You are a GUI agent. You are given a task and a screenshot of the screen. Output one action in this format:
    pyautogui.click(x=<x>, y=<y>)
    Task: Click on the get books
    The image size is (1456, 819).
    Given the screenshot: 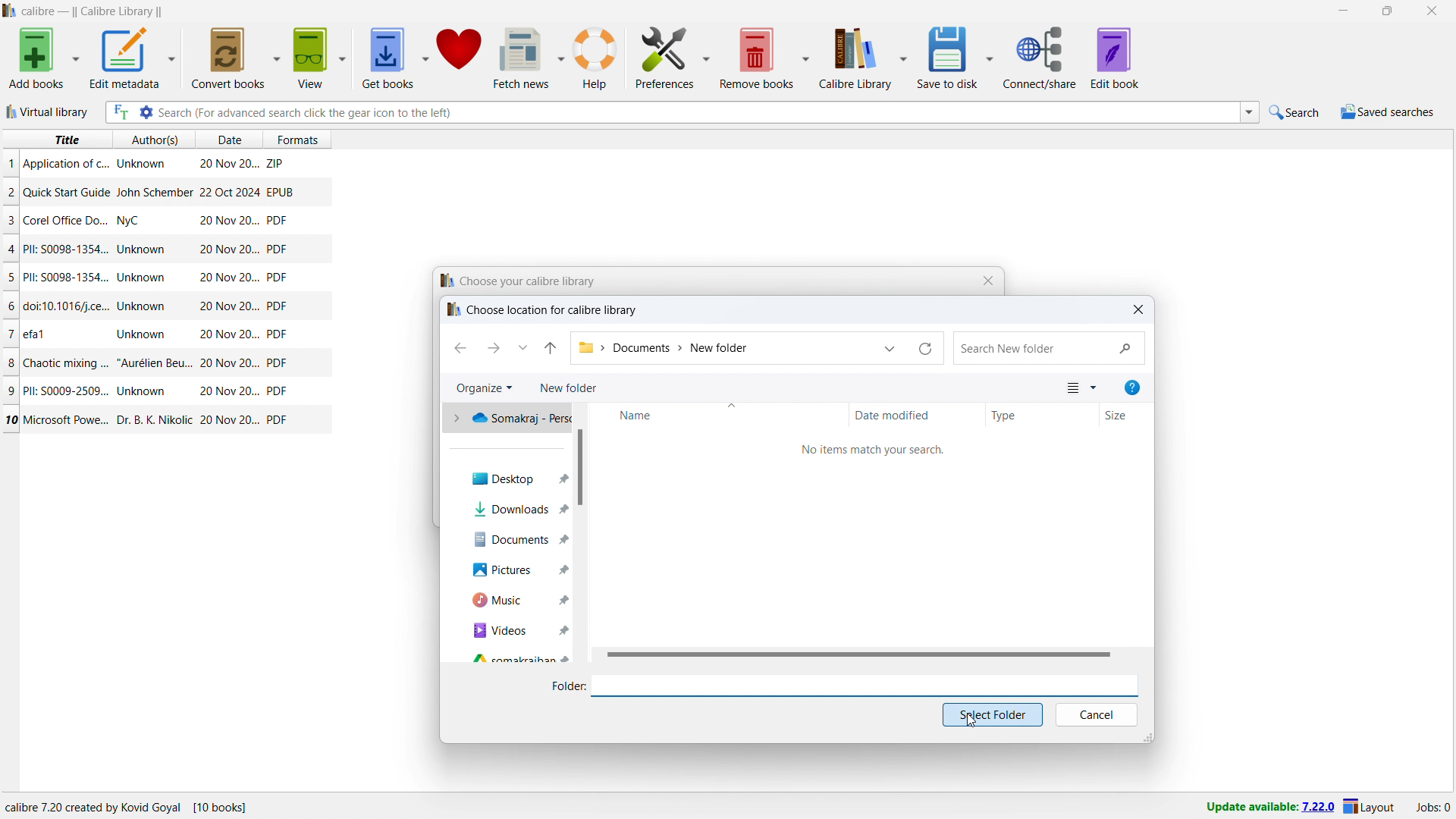 What is the action you would take?
    pyautogui.click(x=387, y=58)
    